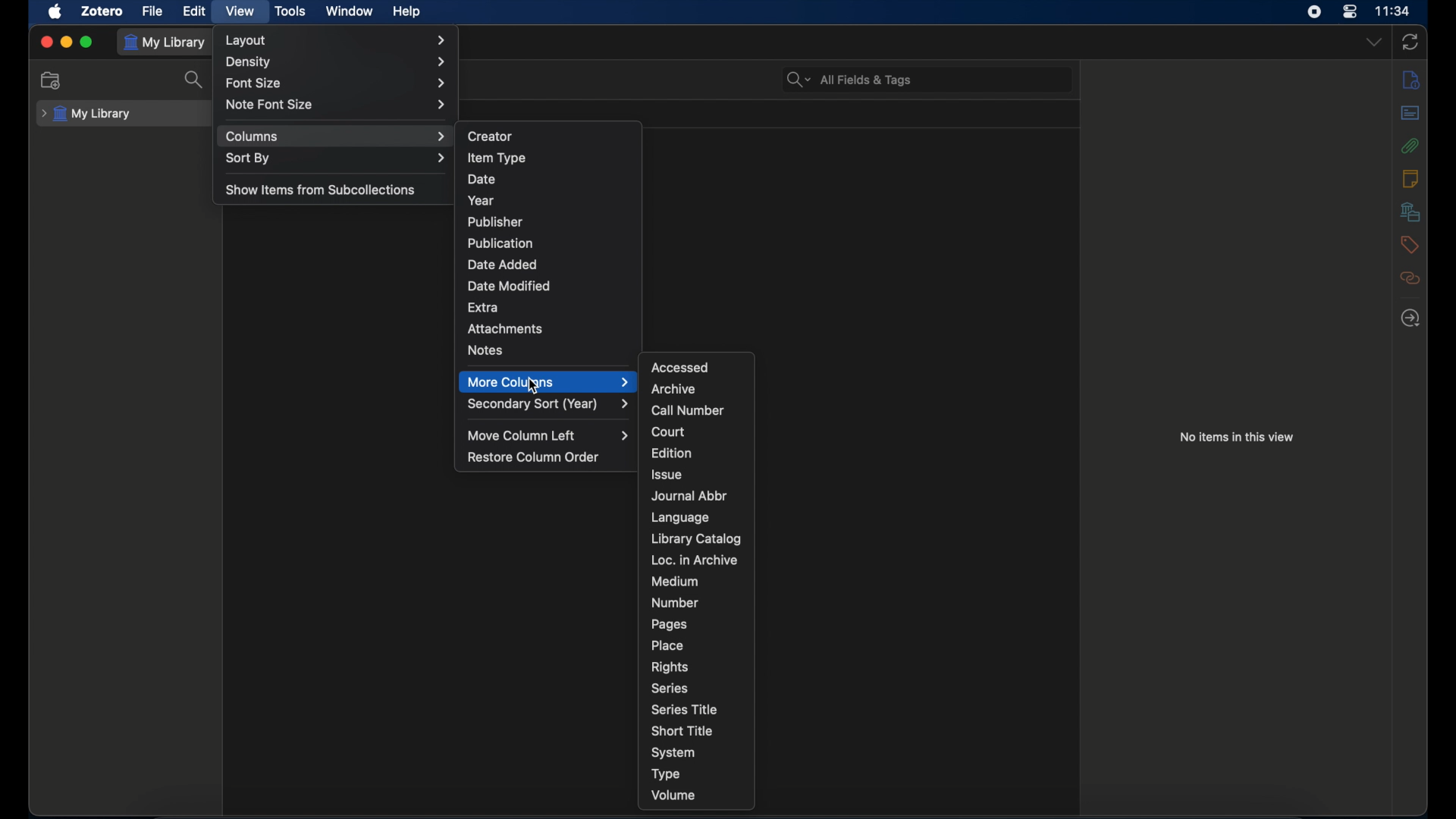 The image size is (1456, 819). What do you see at coordinates (1409, 178) in the screenshot?
I see `notes` at bounding box center [1409, 178].